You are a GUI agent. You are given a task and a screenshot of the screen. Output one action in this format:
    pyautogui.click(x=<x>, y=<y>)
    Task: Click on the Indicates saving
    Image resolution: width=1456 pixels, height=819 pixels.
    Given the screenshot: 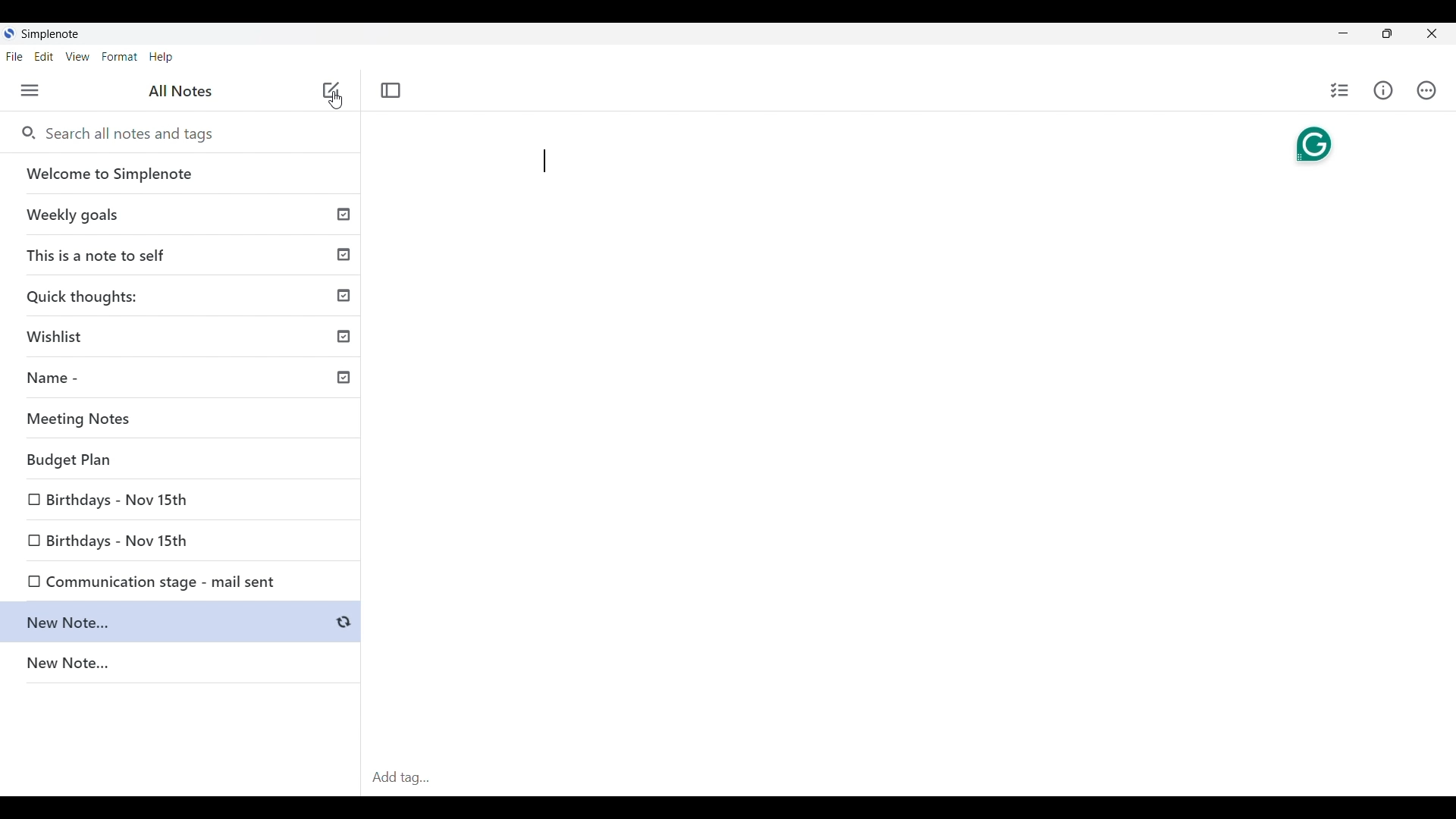 What is the action you would take?
    pyautogui.click(x=343, y=623)
    